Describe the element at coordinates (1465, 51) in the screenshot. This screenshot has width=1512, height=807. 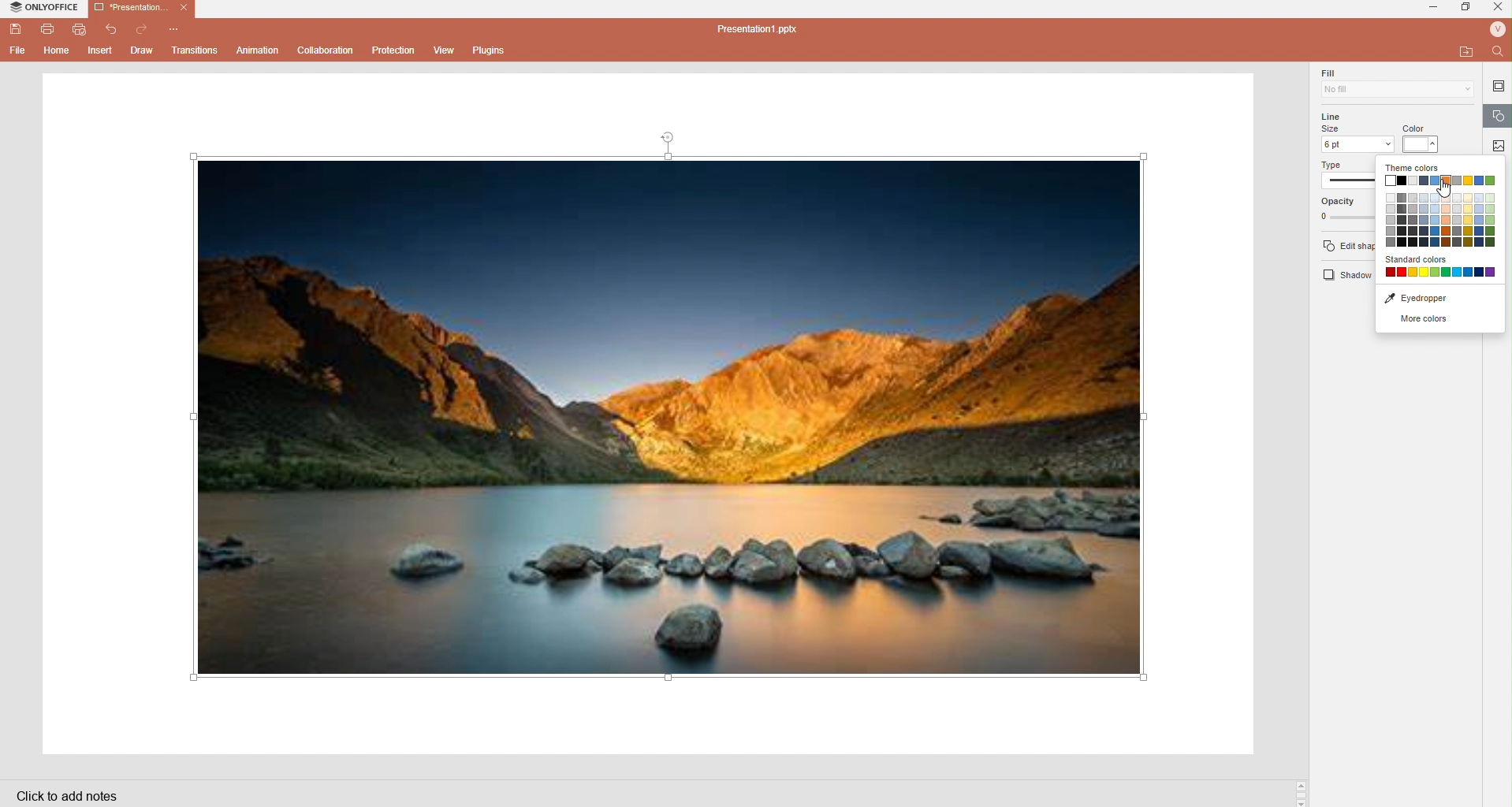
I see `open file location` at that location.